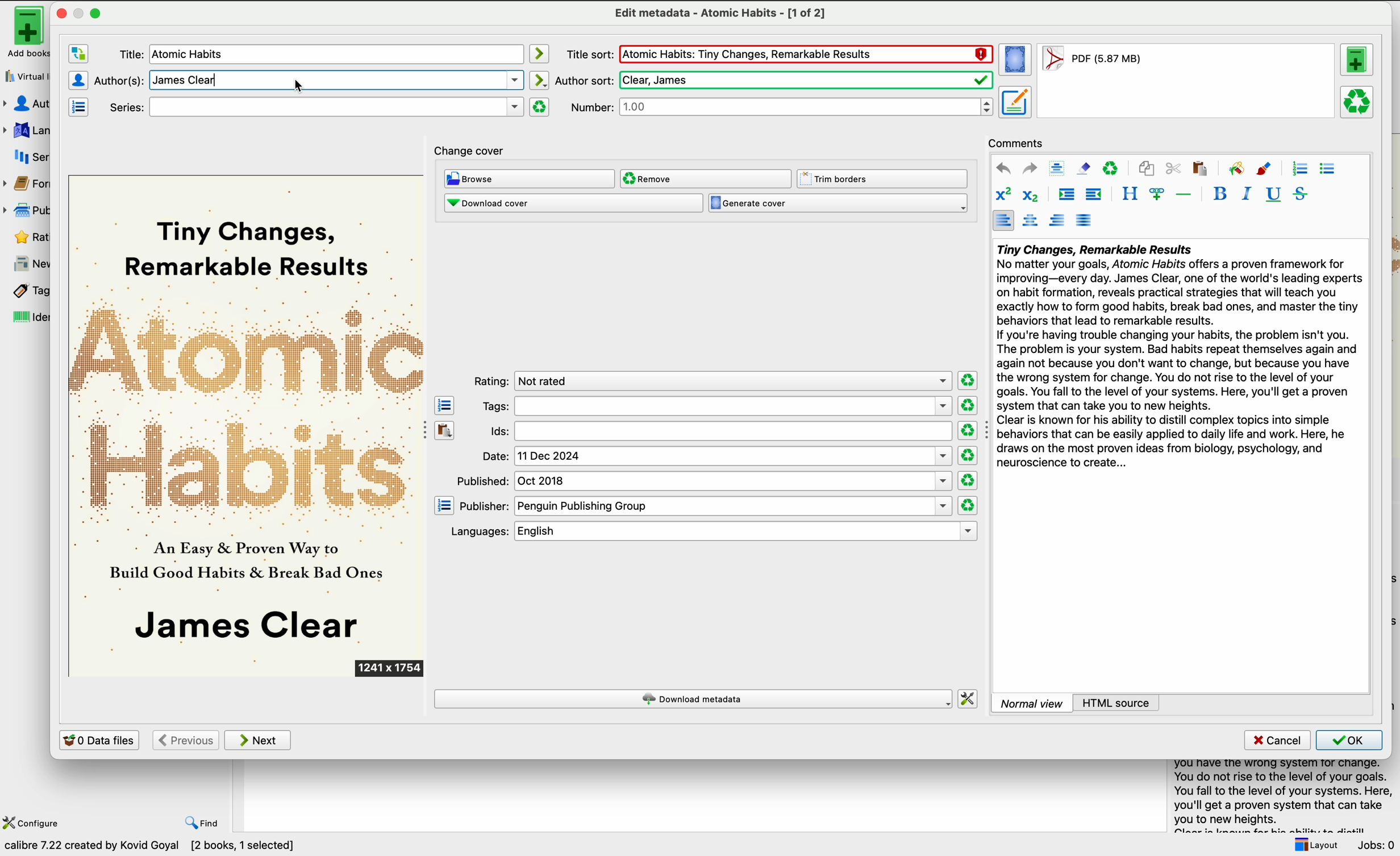 The width and height of the screenshot is (1400, 856). I want to click on cursor, so click(300, 83).